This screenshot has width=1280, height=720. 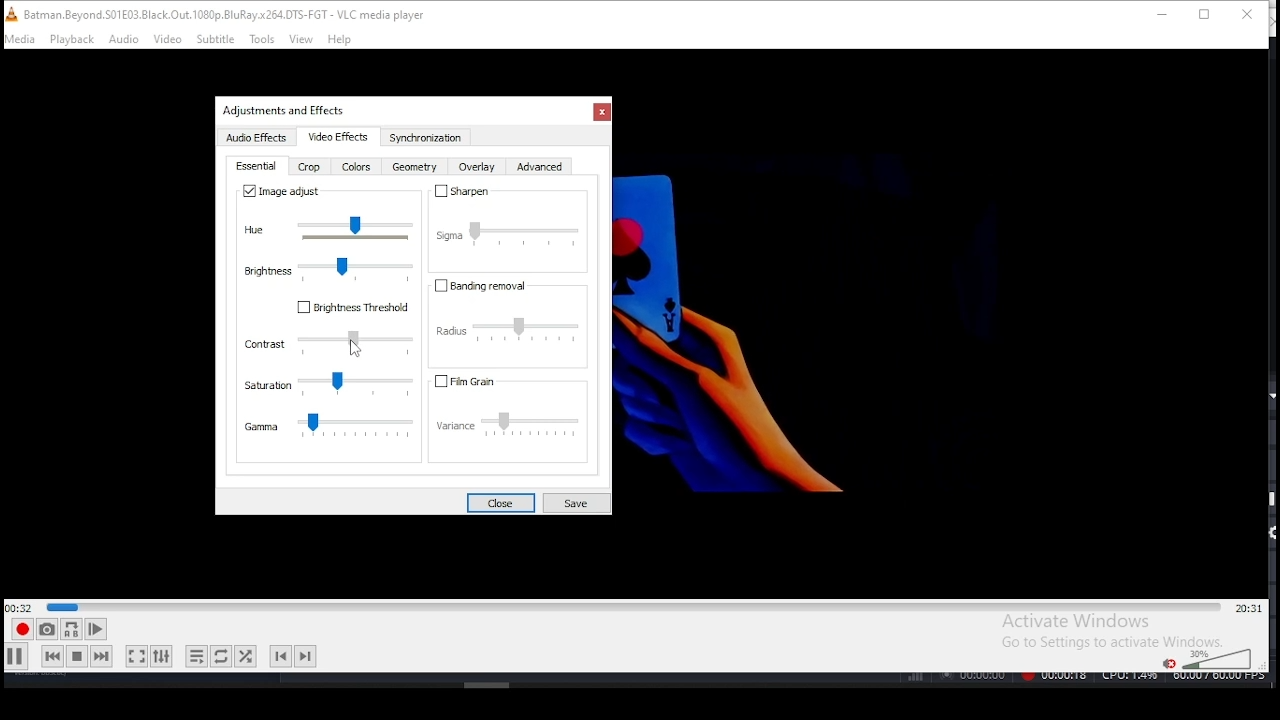 I want to click on save, so click(x=574, y=502).